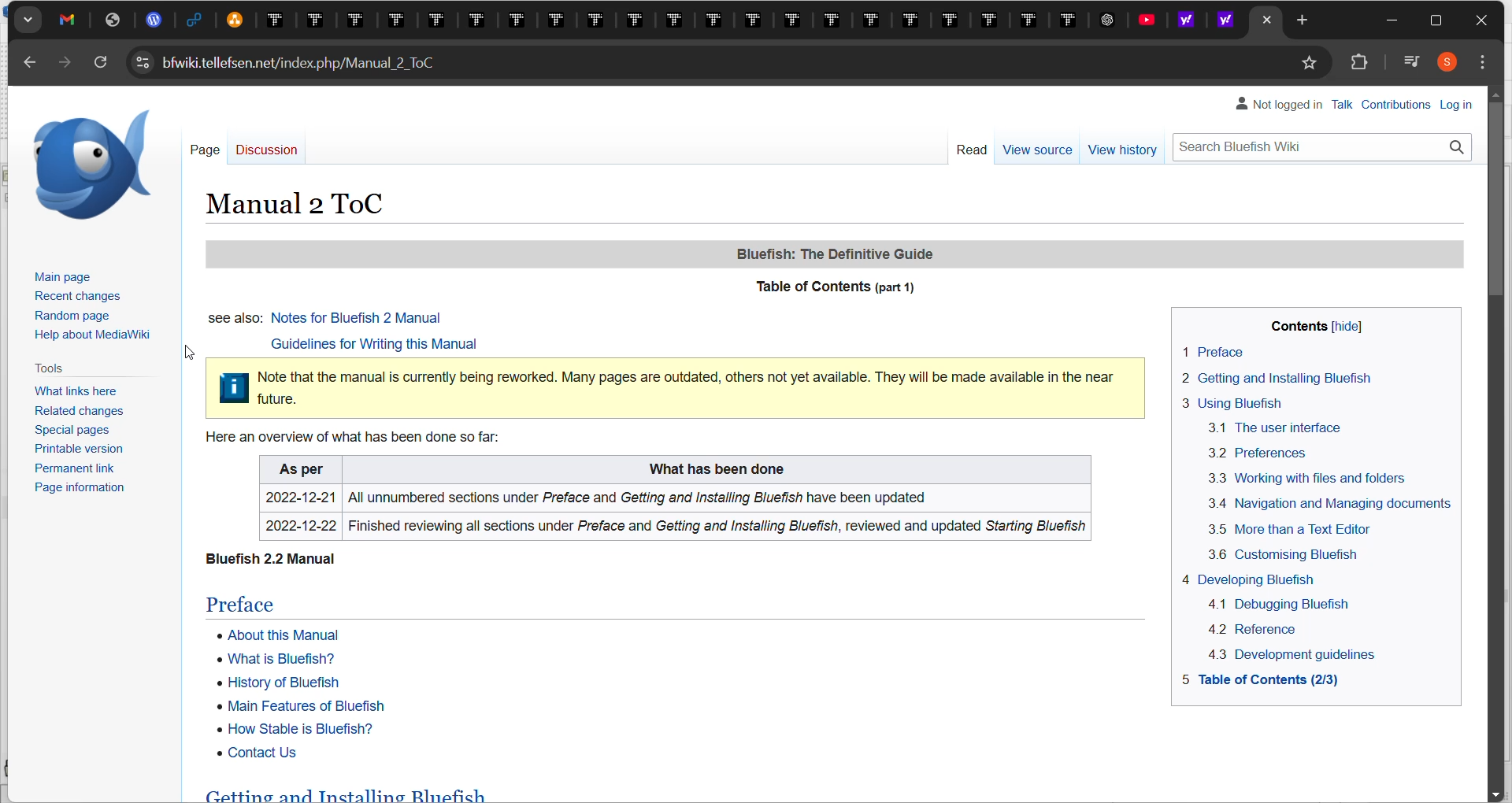 The height and width of the screenshot is (803, 1512). Describe the element at coordinates (1365, 65) in the screenshot. I see `extensions` at that location.